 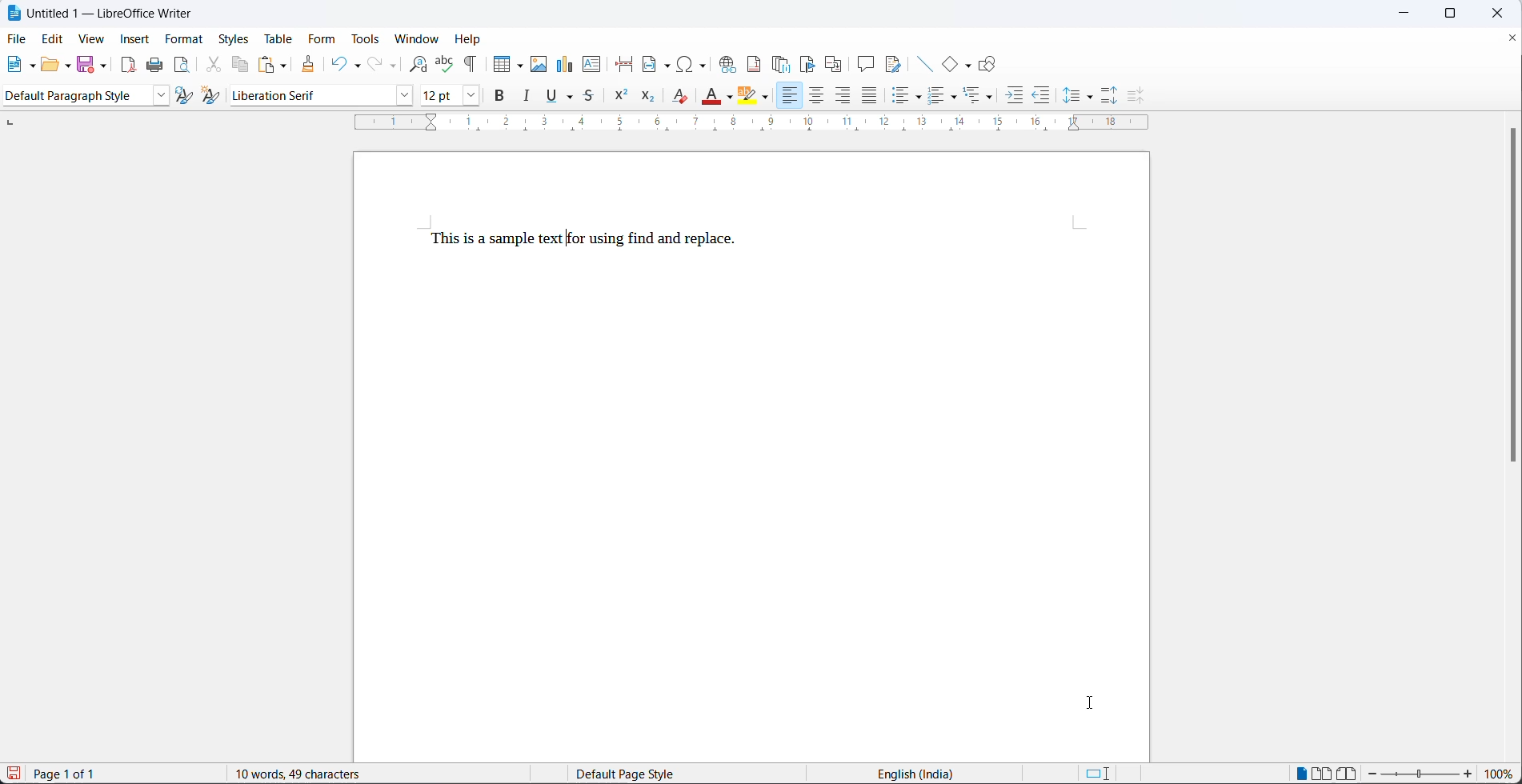 I want to click on undo options, so click(x=356, y=64).